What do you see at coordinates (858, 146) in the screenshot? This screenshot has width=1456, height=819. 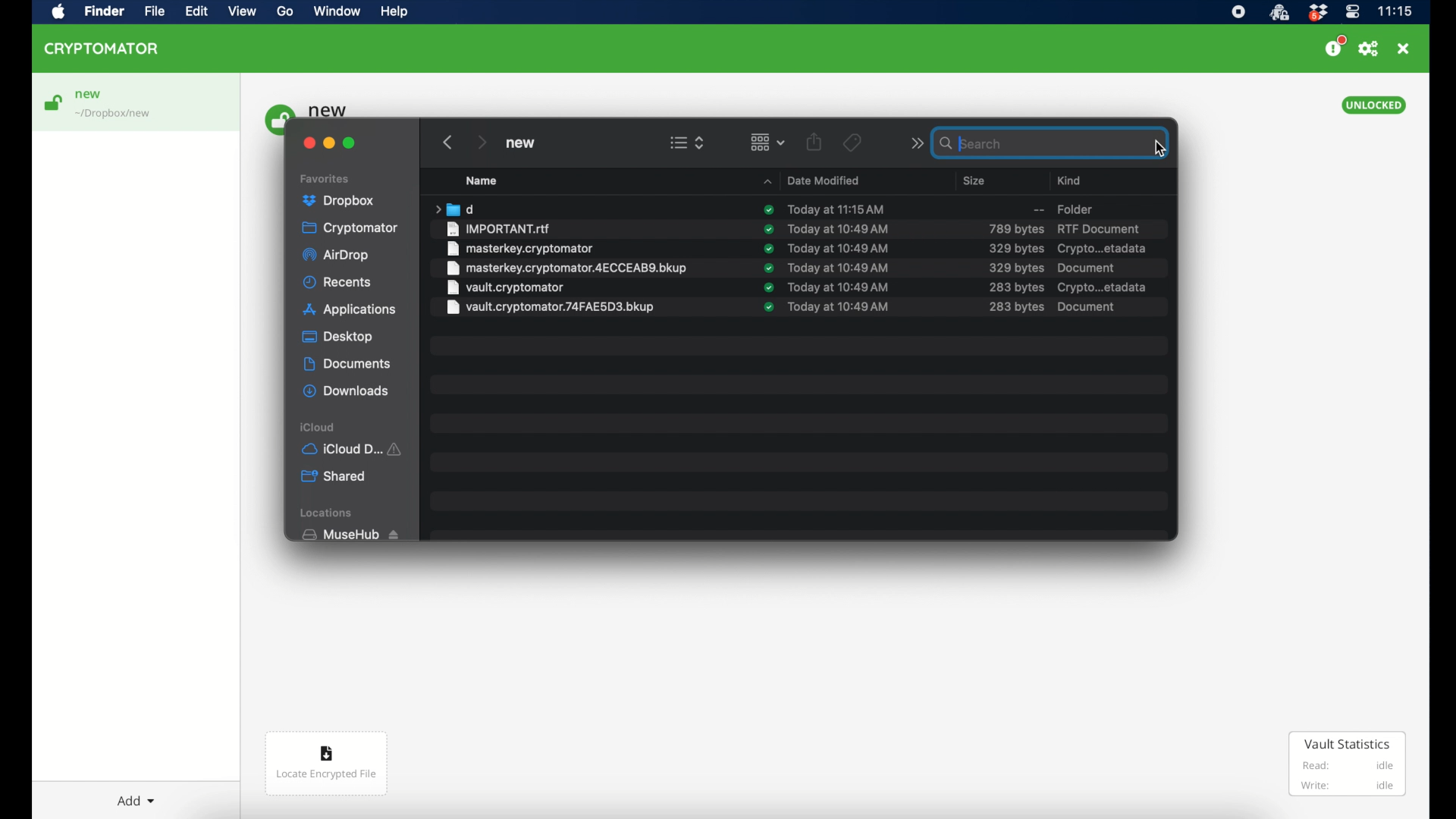 I see `Tags` at bounding box center [858, 146].